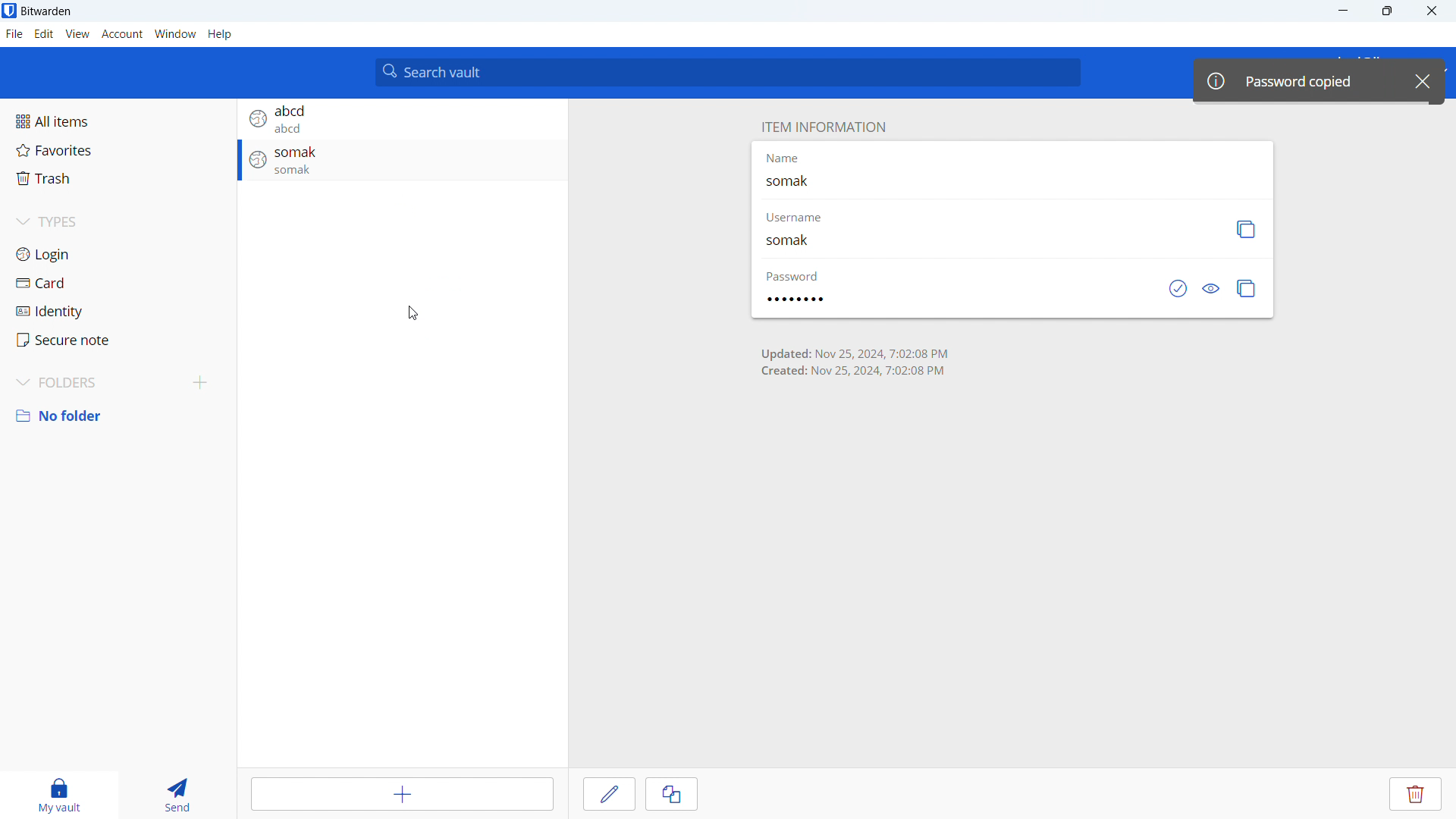 The height and width of the screenshot is (819, 1456). Describe the element at coordinates (92, 384) in the screenshot. I see `folders` at that location.